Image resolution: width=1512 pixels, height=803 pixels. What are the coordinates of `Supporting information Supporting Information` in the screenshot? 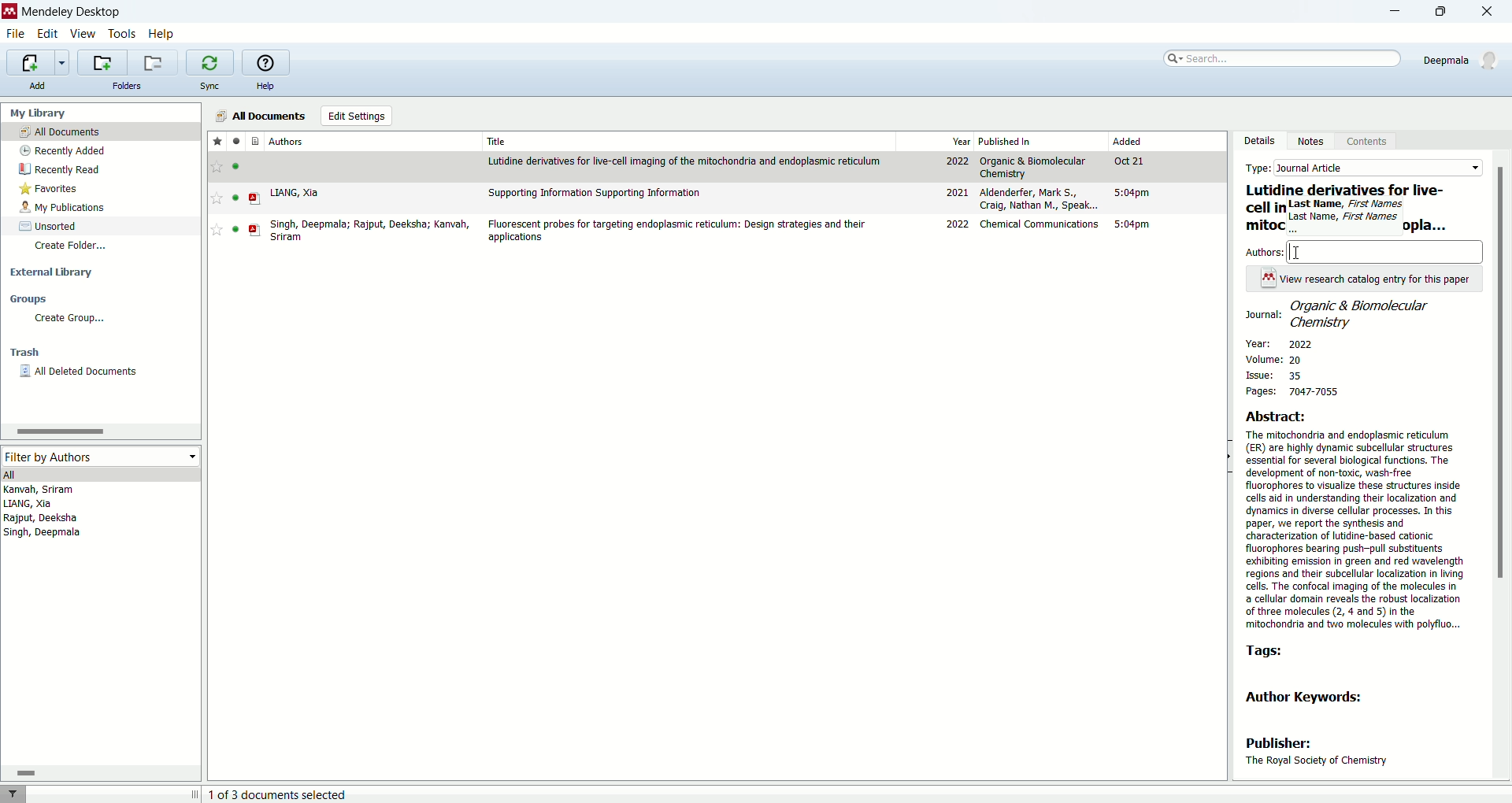 It's located at (596, 193).